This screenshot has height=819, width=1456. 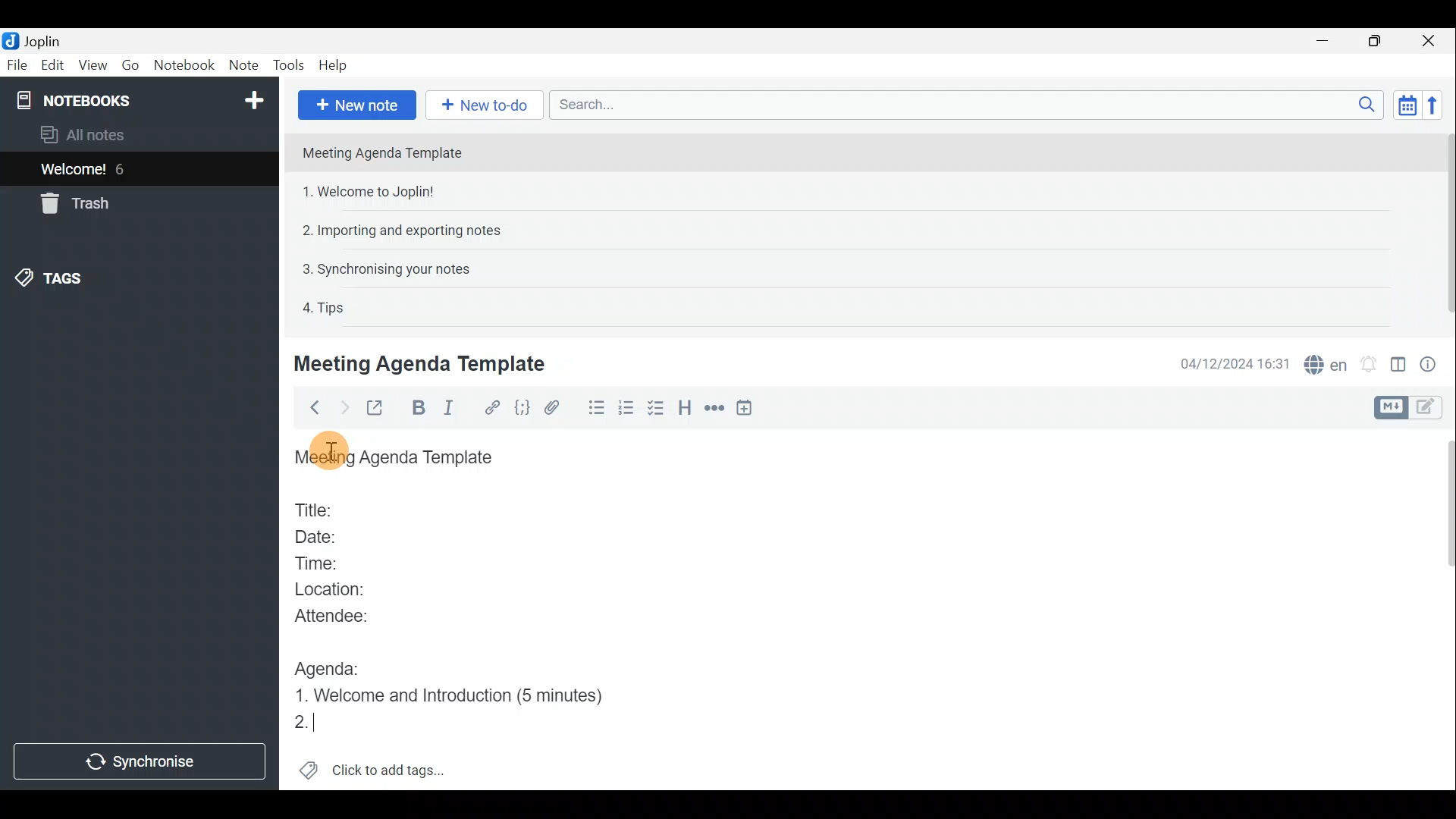 What do you see at coordinates (142, 99) in the screenshot?
I see `Notebooks` at bounding box center [142, 99].